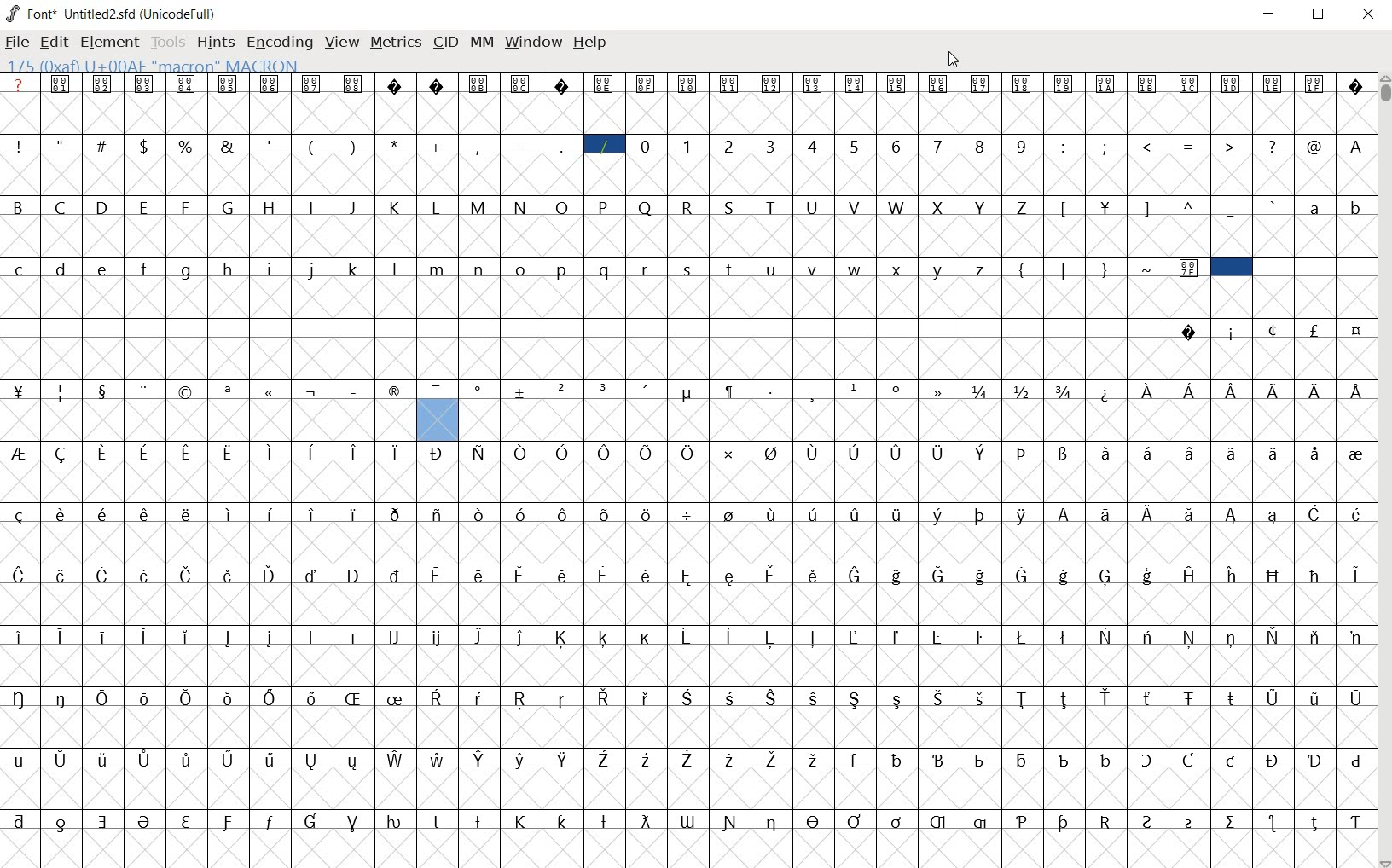 Image resolution: width=1392 pixels, height=868 pixels. What do you see at coordinates (1383, 472) in the screenshot?
I see `SCROLLBAR` at bounding box center [1383, 472].